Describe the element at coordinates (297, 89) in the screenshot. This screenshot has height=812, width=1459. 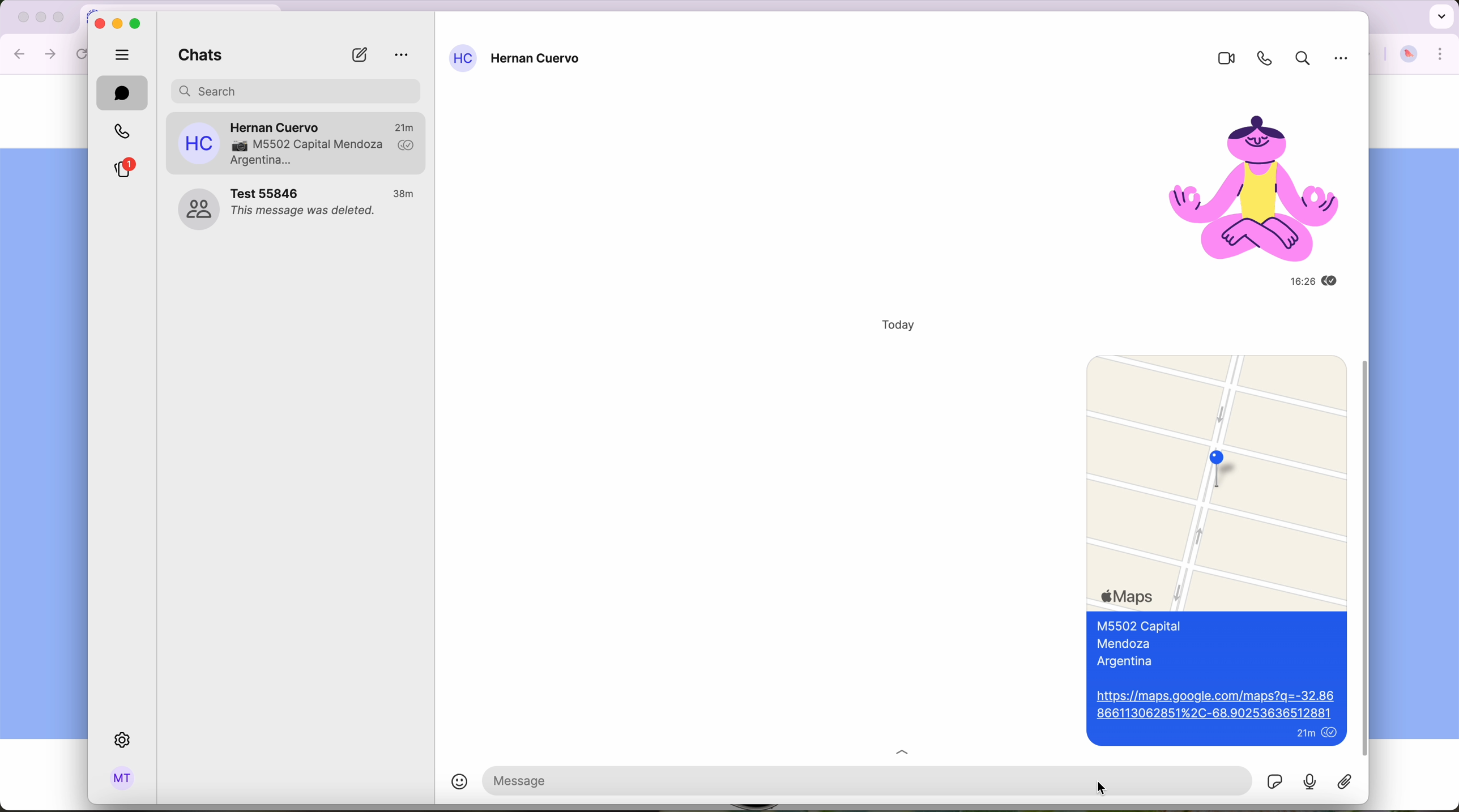
I see `search bar` at that location.